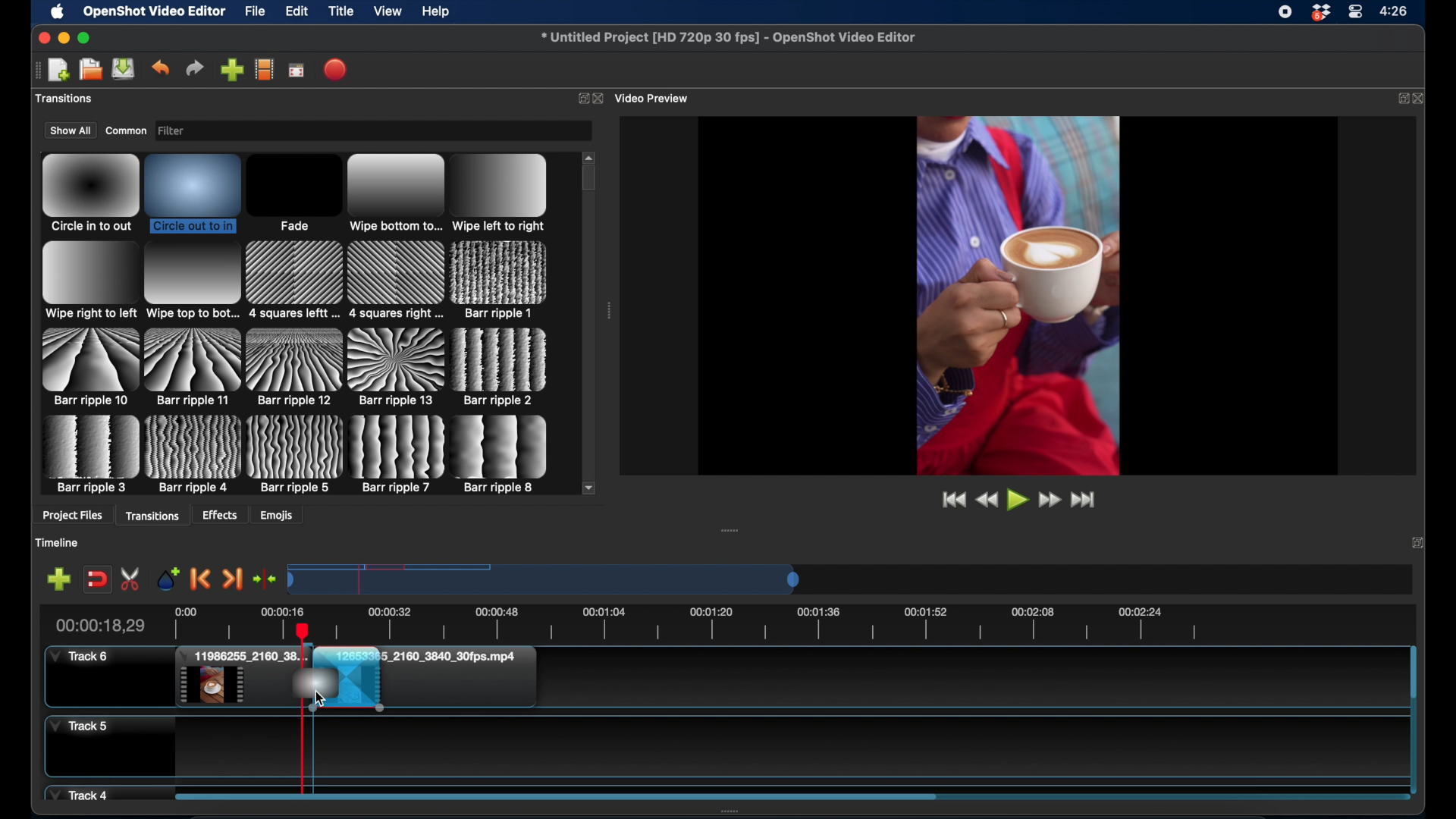  Describe the element at coordinates (731, 530) in the screenshot. I see `drag handle` at that location.